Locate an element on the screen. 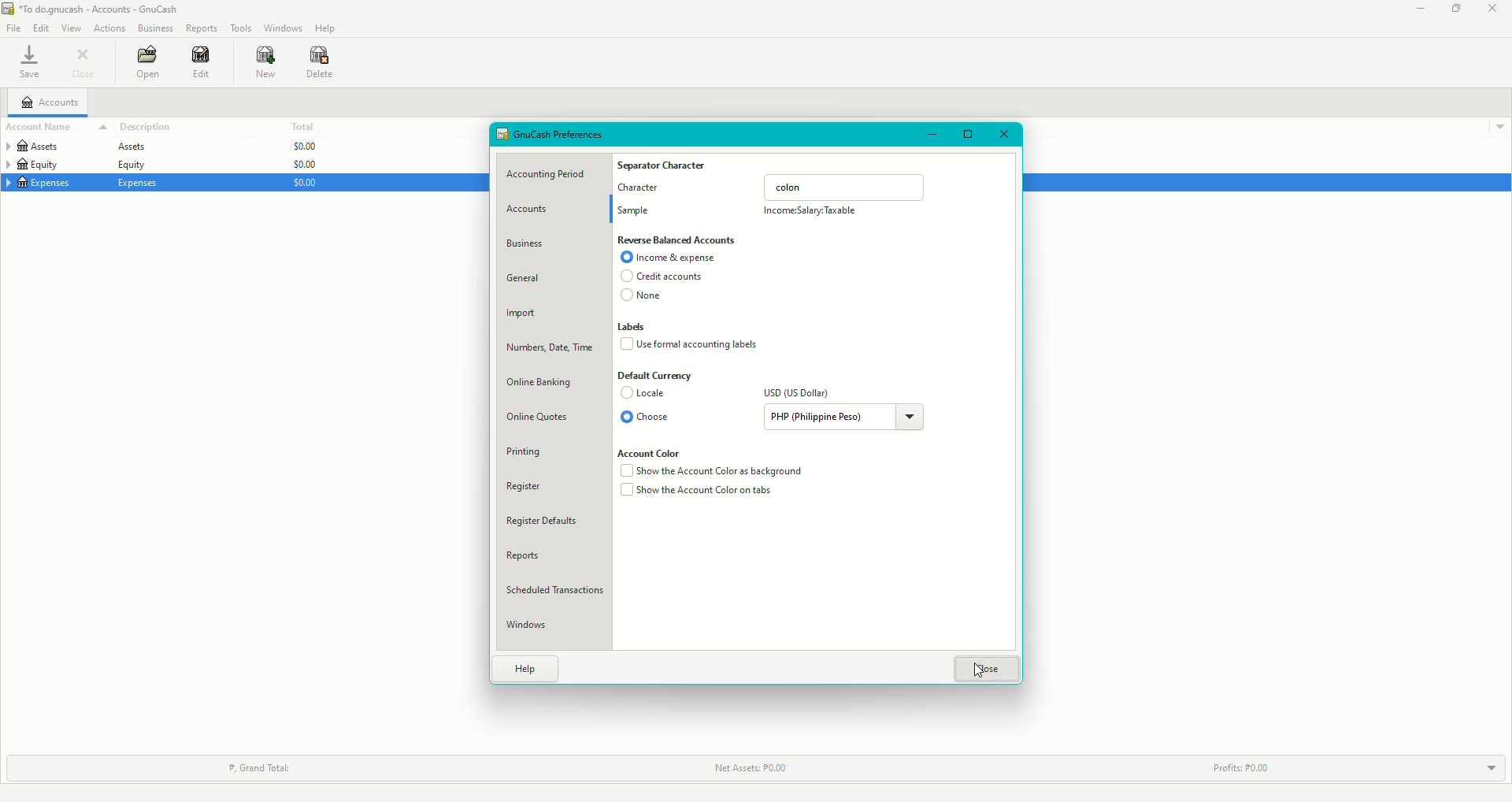 The image size is (1512, 802). Restore is located at coordinates (1455, 9).